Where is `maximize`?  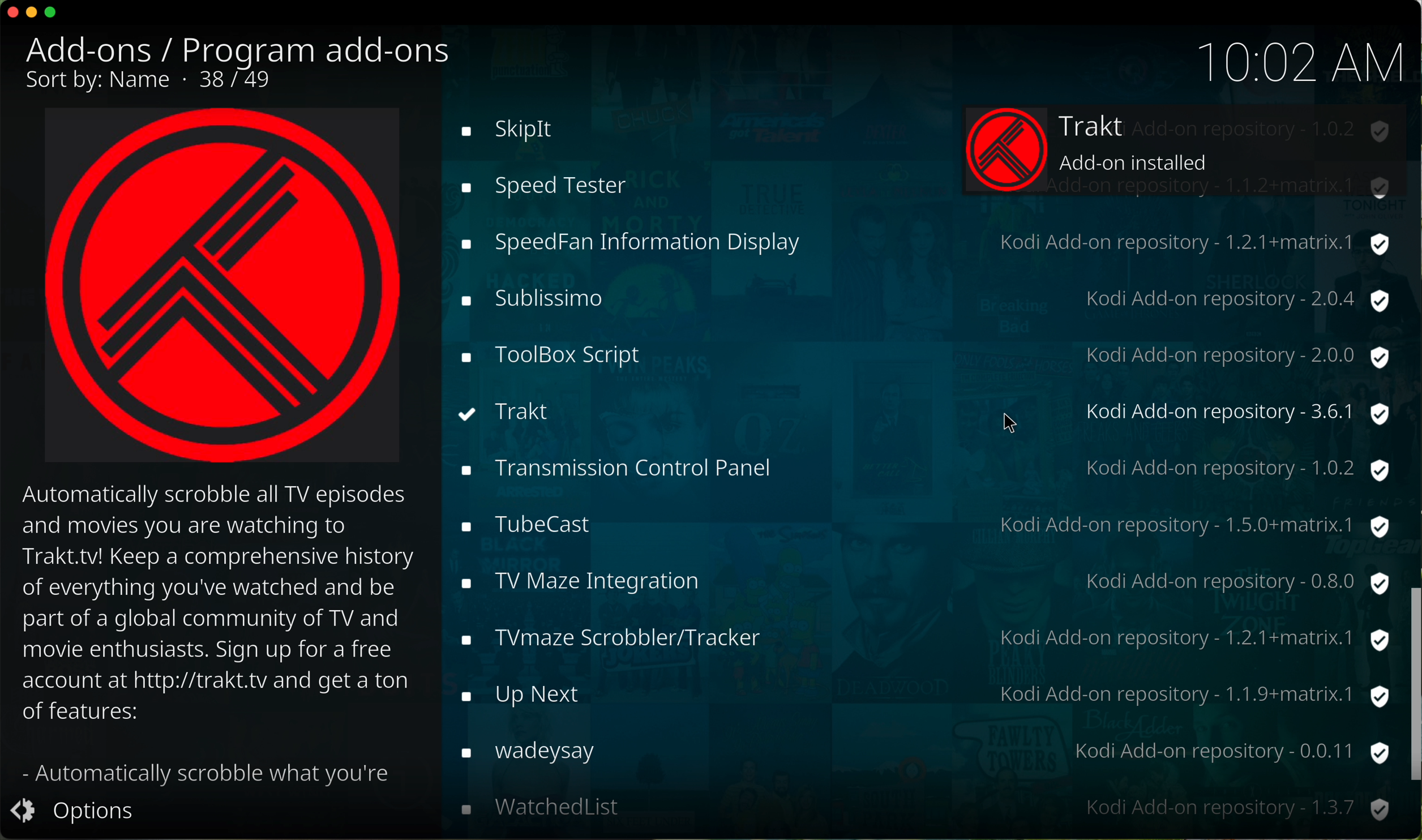 maximize is located at coordinates (52, 14).